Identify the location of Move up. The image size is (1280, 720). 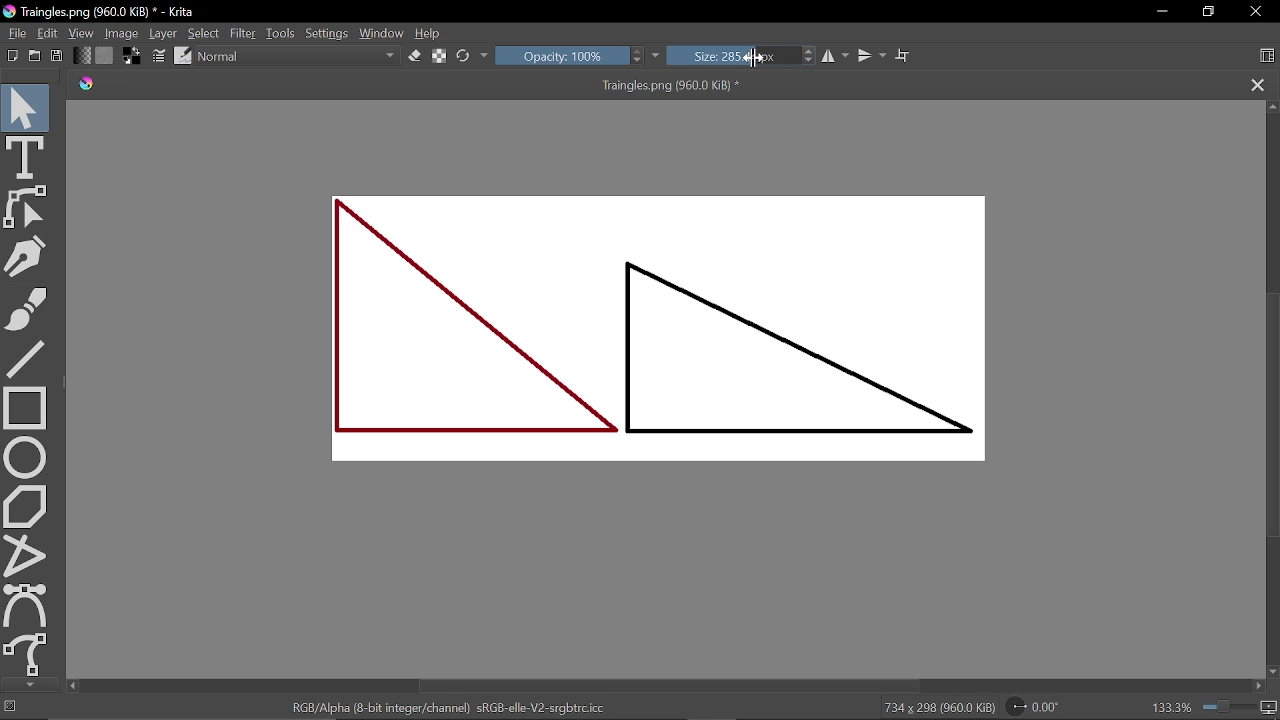
(1272, 108).